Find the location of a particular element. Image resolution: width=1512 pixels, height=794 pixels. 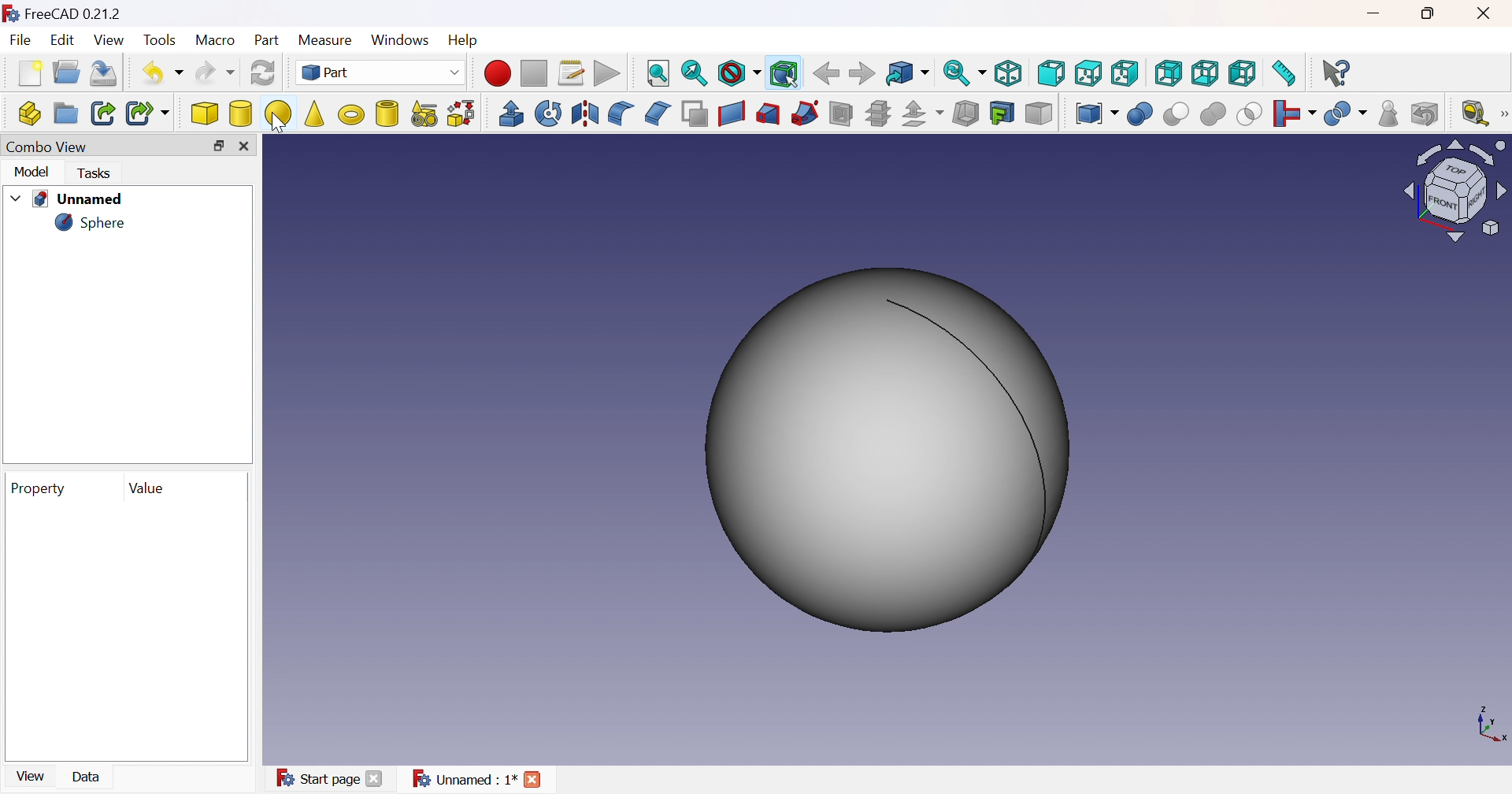

Unnamed is located at coordinates (74, 199).